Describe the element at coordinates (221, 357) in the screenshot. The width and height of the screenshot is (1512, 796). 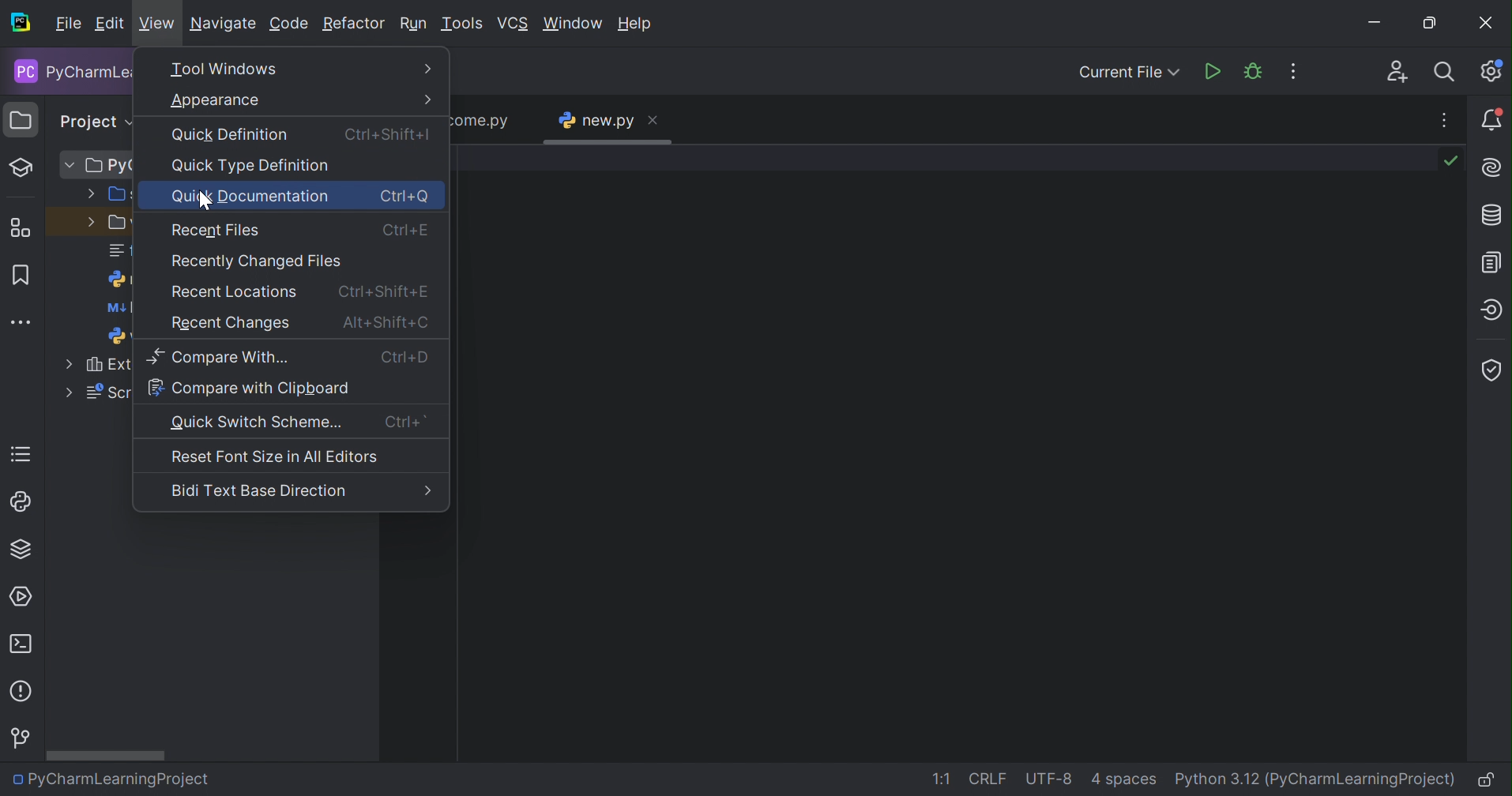
I see `Compare With...` at that location.